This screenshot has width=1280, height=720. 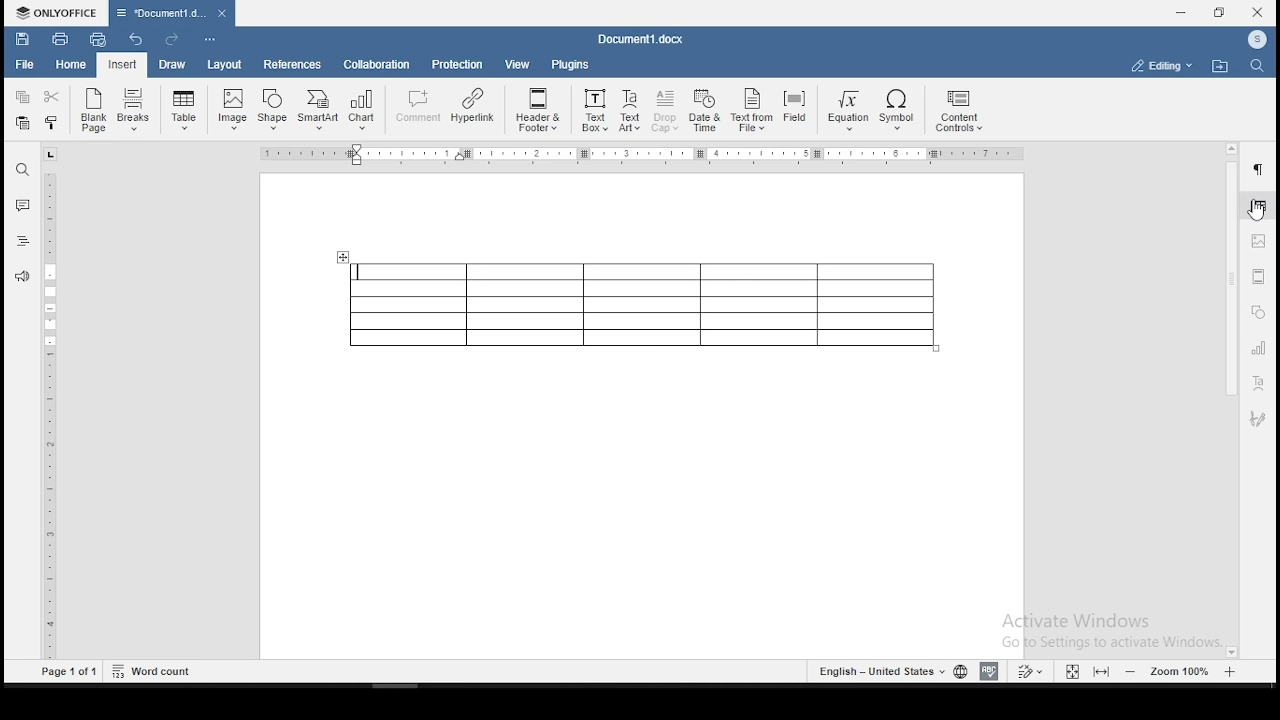 I want to click on zoom level, so click(x=1181, y=671).